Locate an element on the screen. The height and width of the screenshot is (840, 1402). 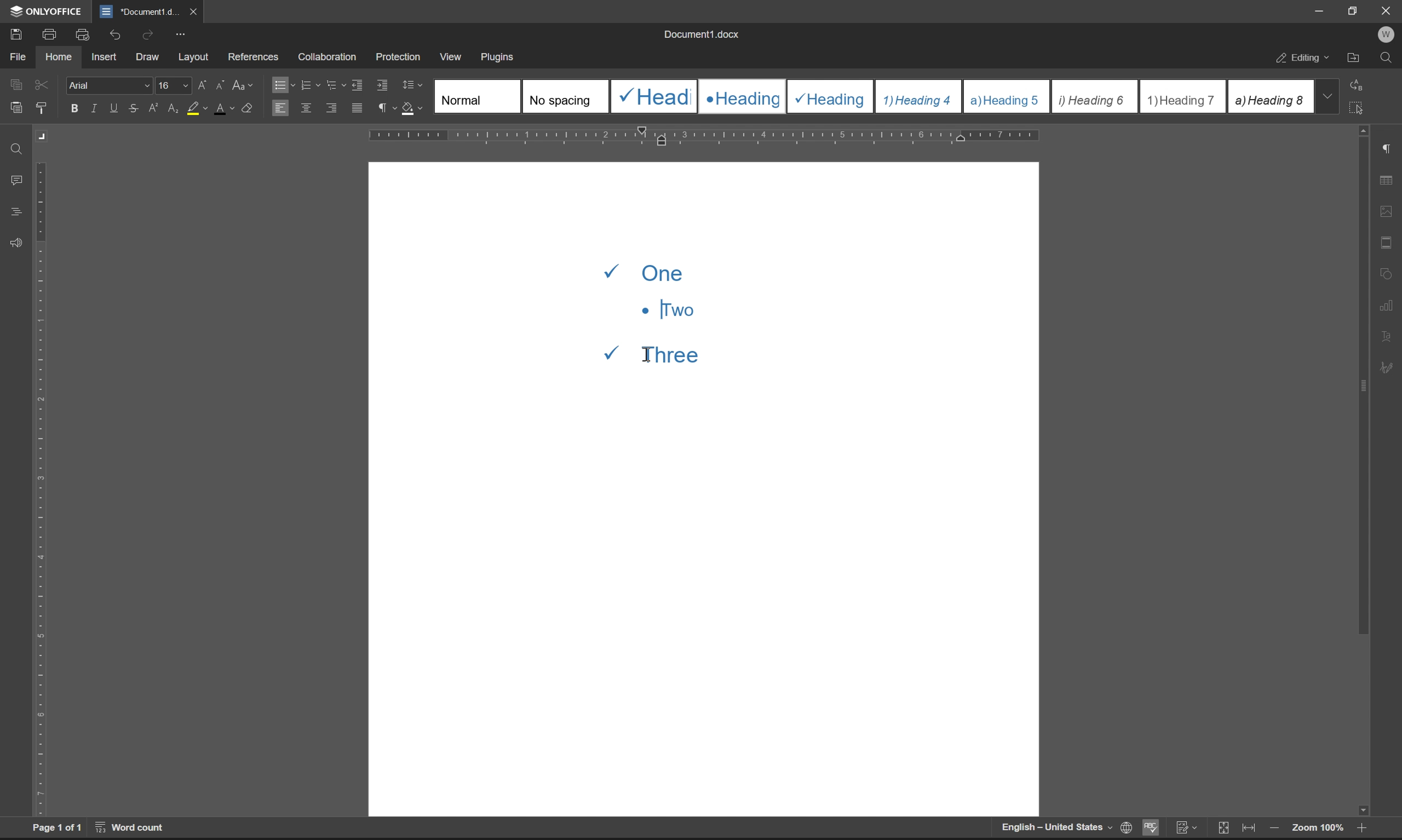
scroll bar is located at coordinates (1361, 471).